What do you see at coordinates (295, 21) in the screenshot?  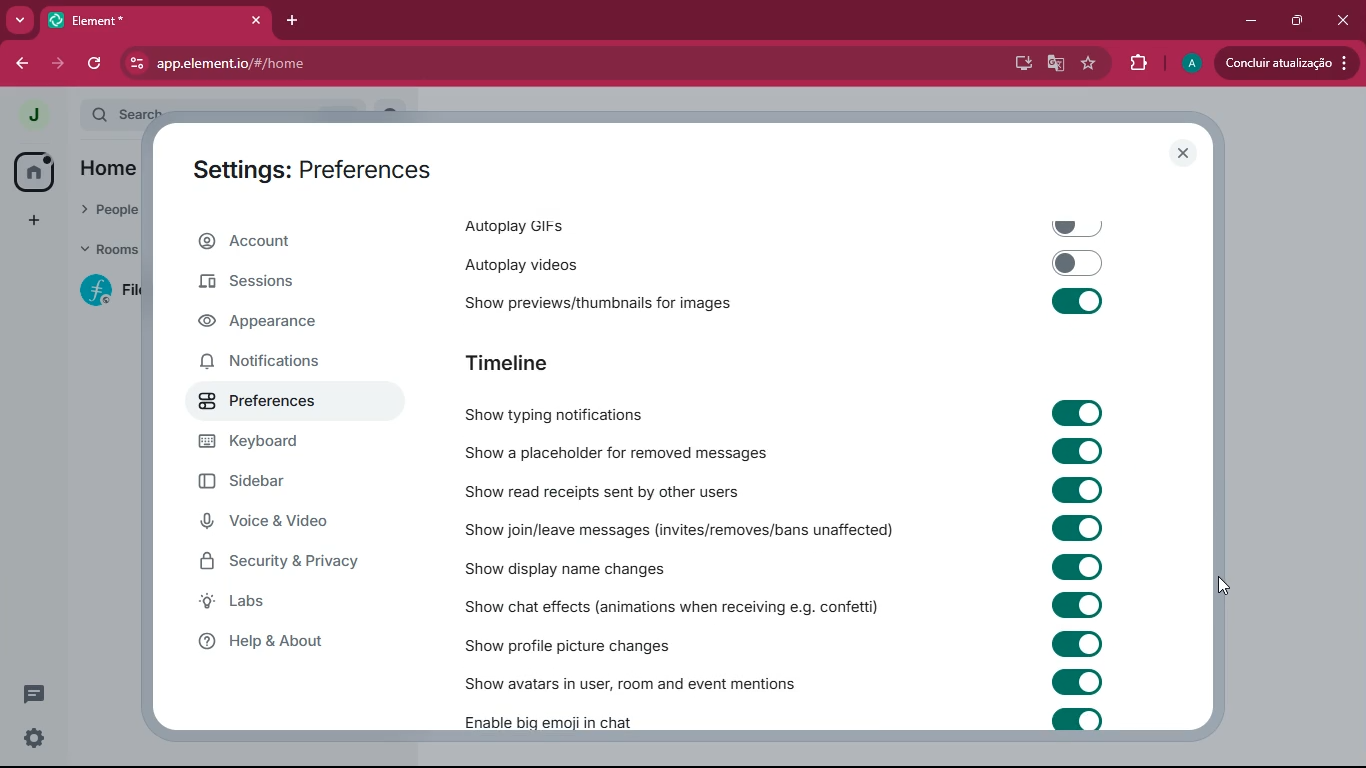 I see `add tab` at bounding box center [295, 21].